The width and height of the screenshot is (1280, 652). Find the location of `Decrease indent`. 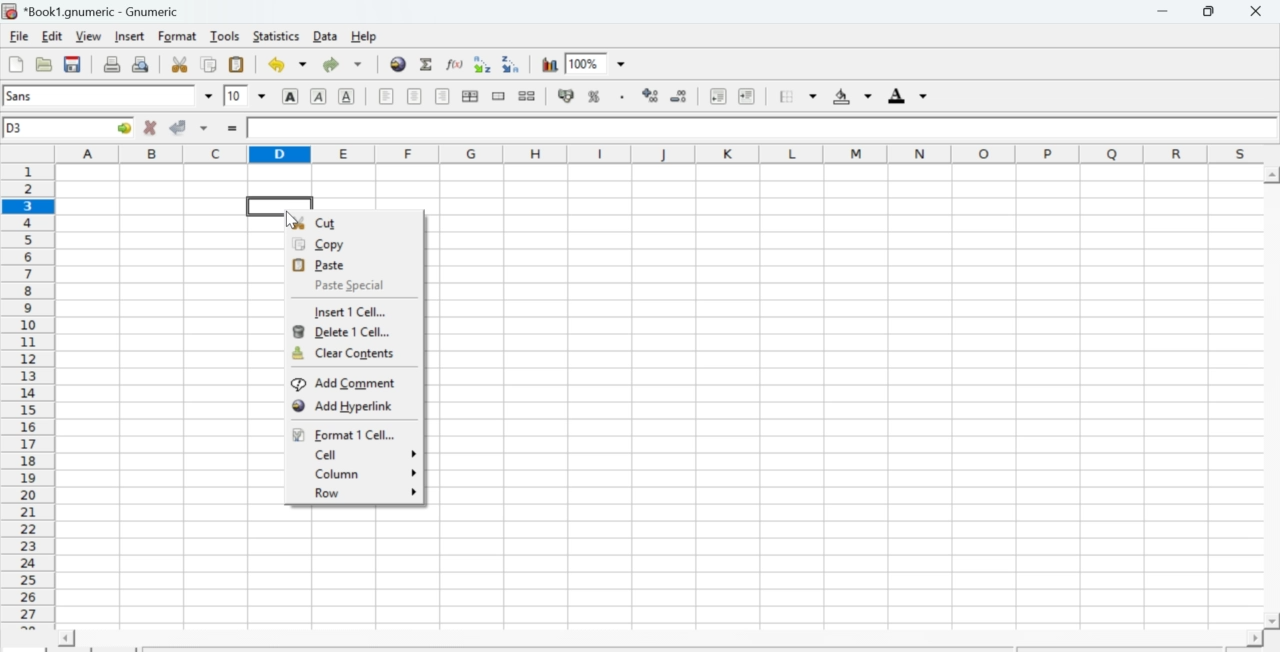

Decrease indent is located at coordinates (717, 96).